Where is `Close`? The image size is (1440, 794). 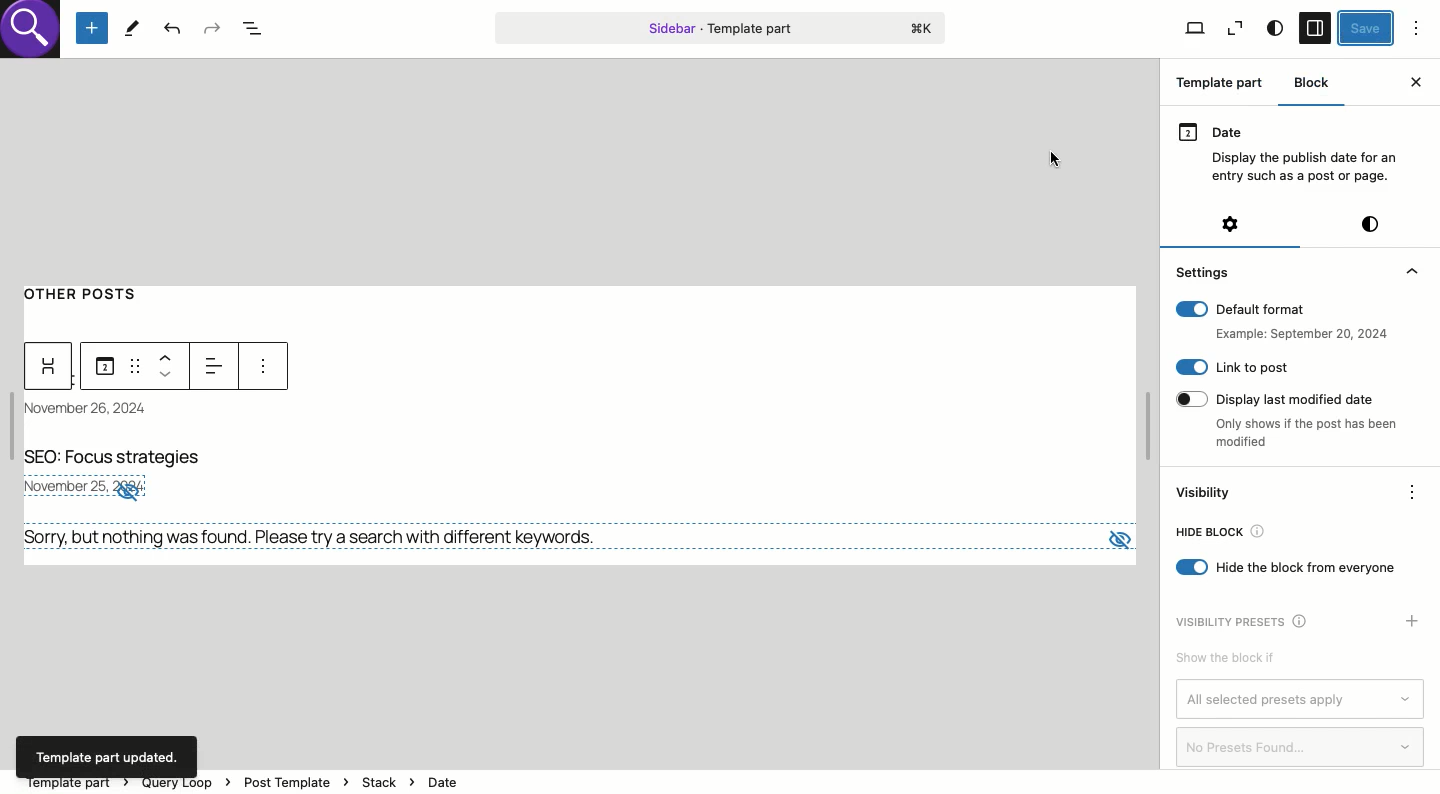 Close is located at coordinates (1415, 82).